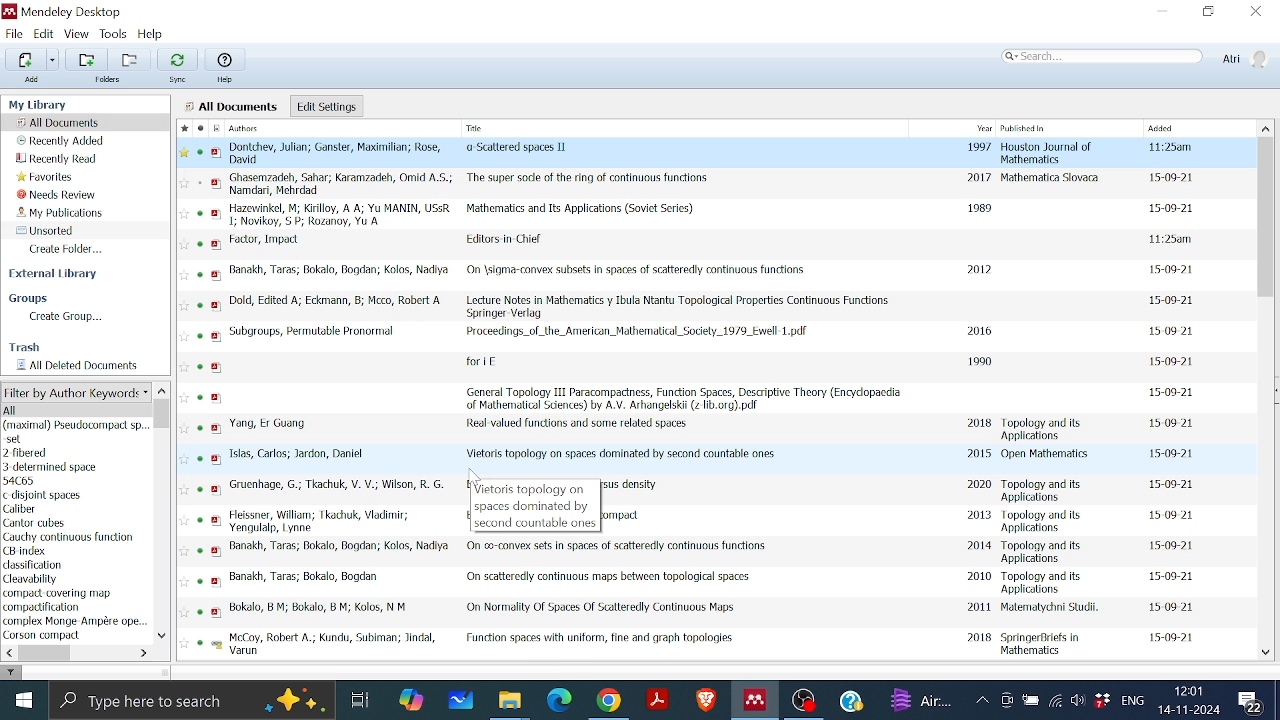 The width and height of the screenshot is (1280, 720). I want to click on Dropbox, so click(1101, 699).